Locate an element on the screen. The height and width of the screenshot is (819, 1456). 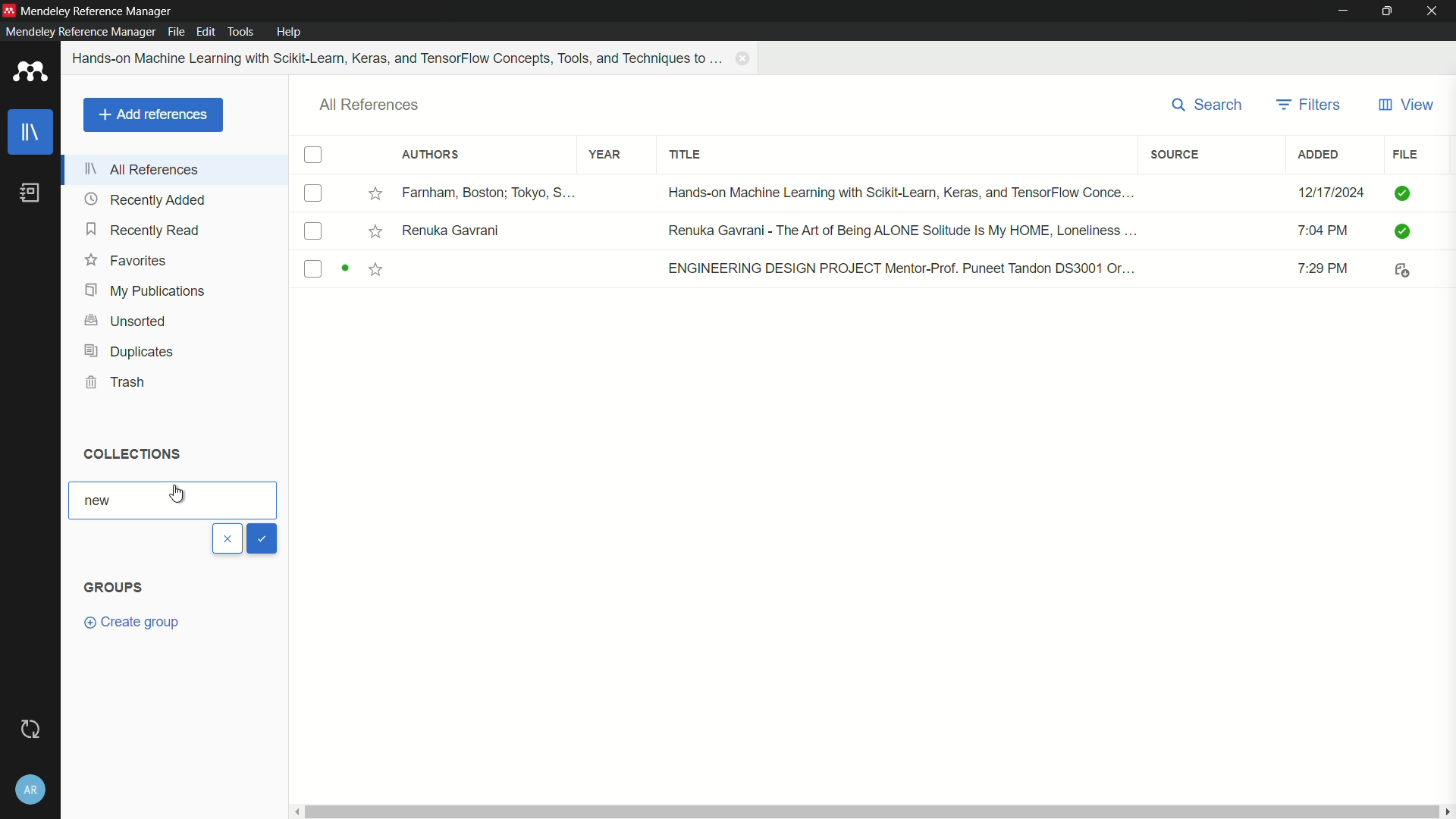
mendeley reference manager is located at coordinates (80, 31).